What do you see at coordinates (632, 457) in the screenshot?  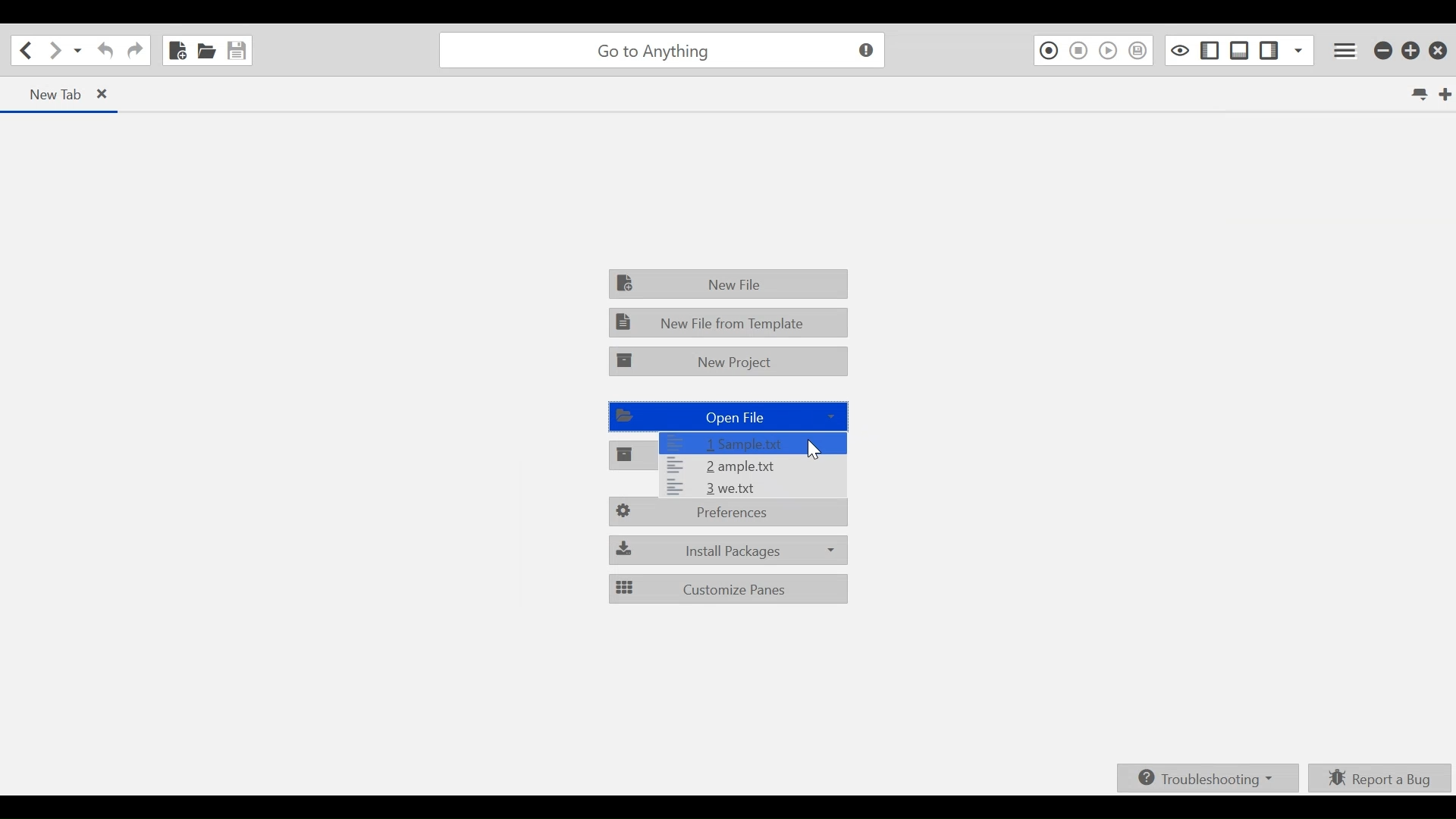 I see `Open Project` at bounding box center [632, 457].